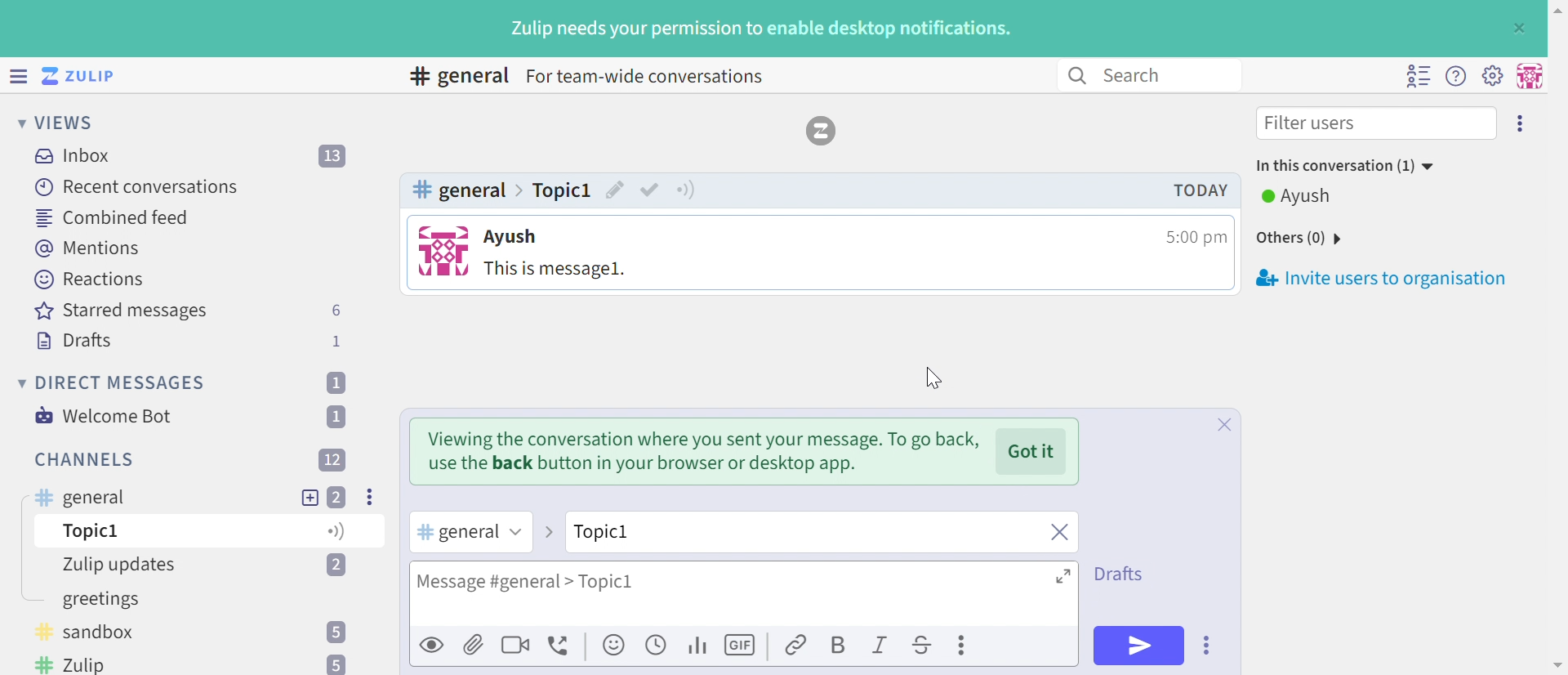 The height and width of the screenshot is (675, 1568). Describe the element at coordinates (79, 498) in the screenshot. I see `general` at that location.